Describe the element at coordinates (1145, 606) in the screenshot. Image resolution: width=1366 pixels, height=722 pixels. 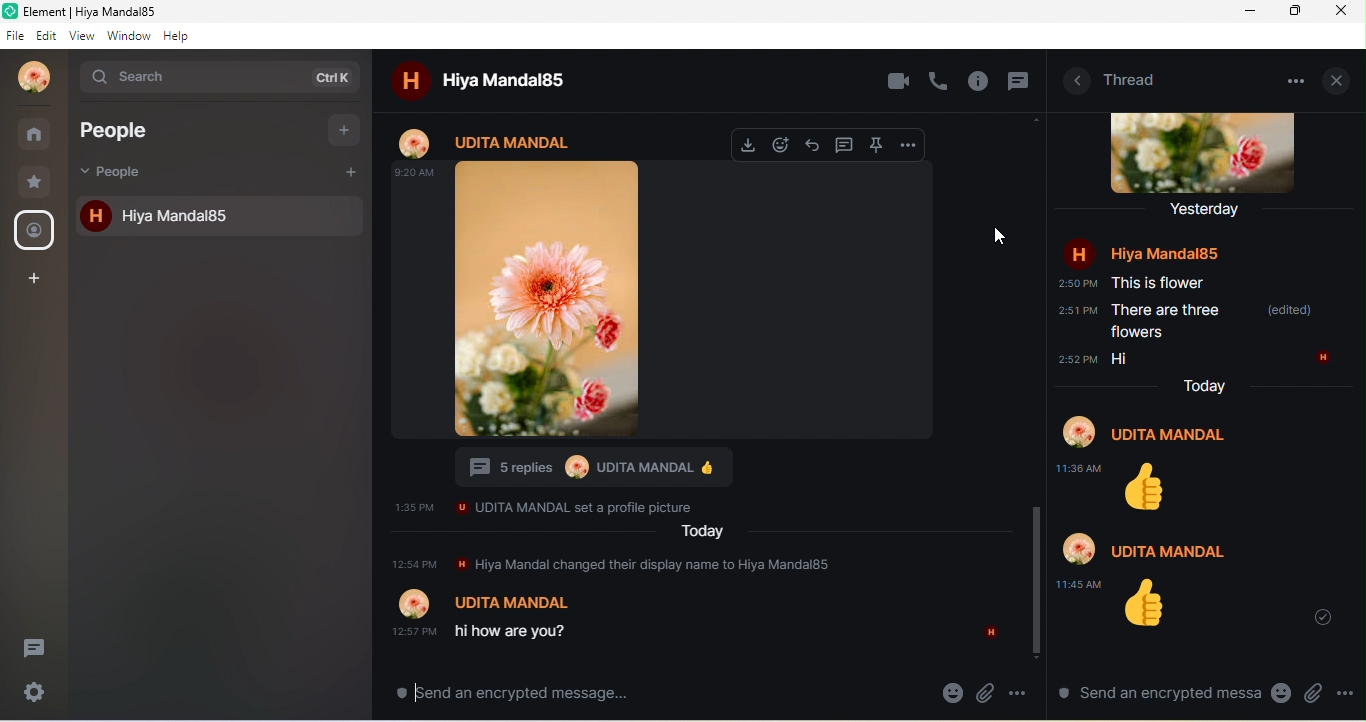
I see `Thumbs up emoji` at that location.